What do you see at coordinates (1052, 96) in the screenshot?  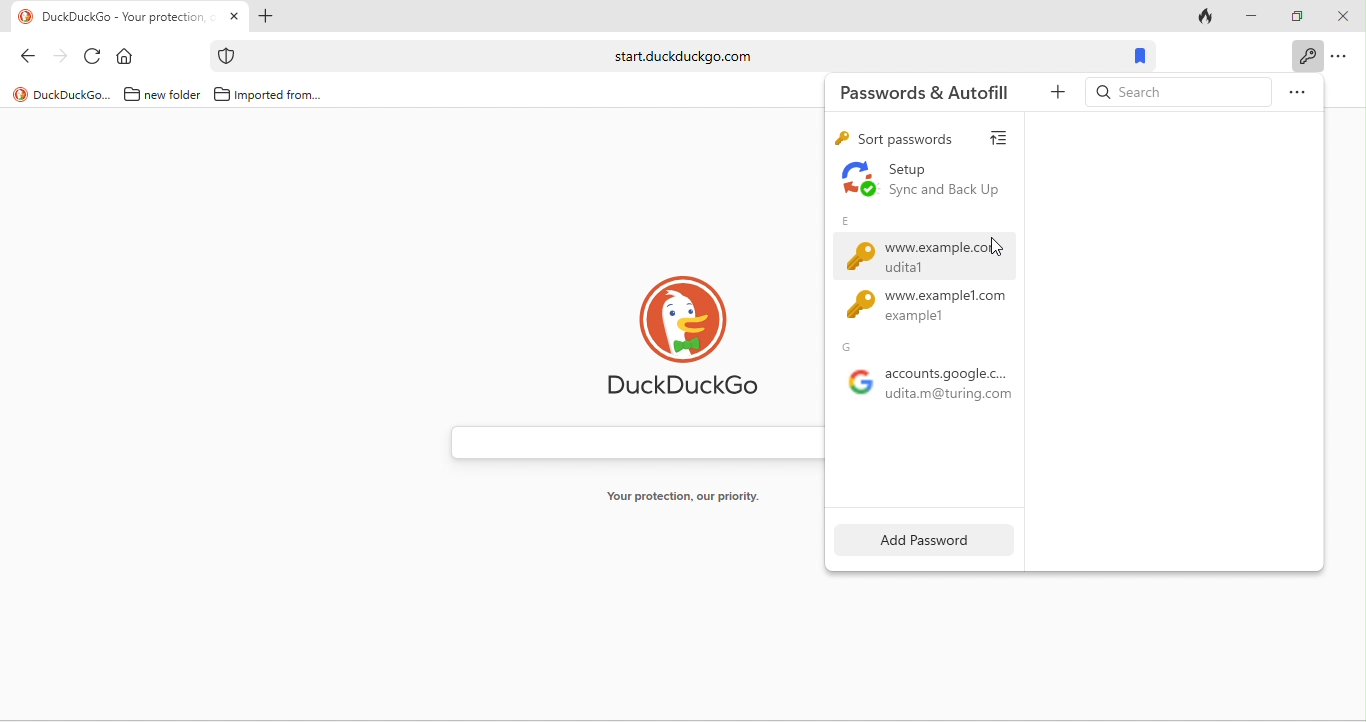 I see `add` at bounding box center [1052, 96].